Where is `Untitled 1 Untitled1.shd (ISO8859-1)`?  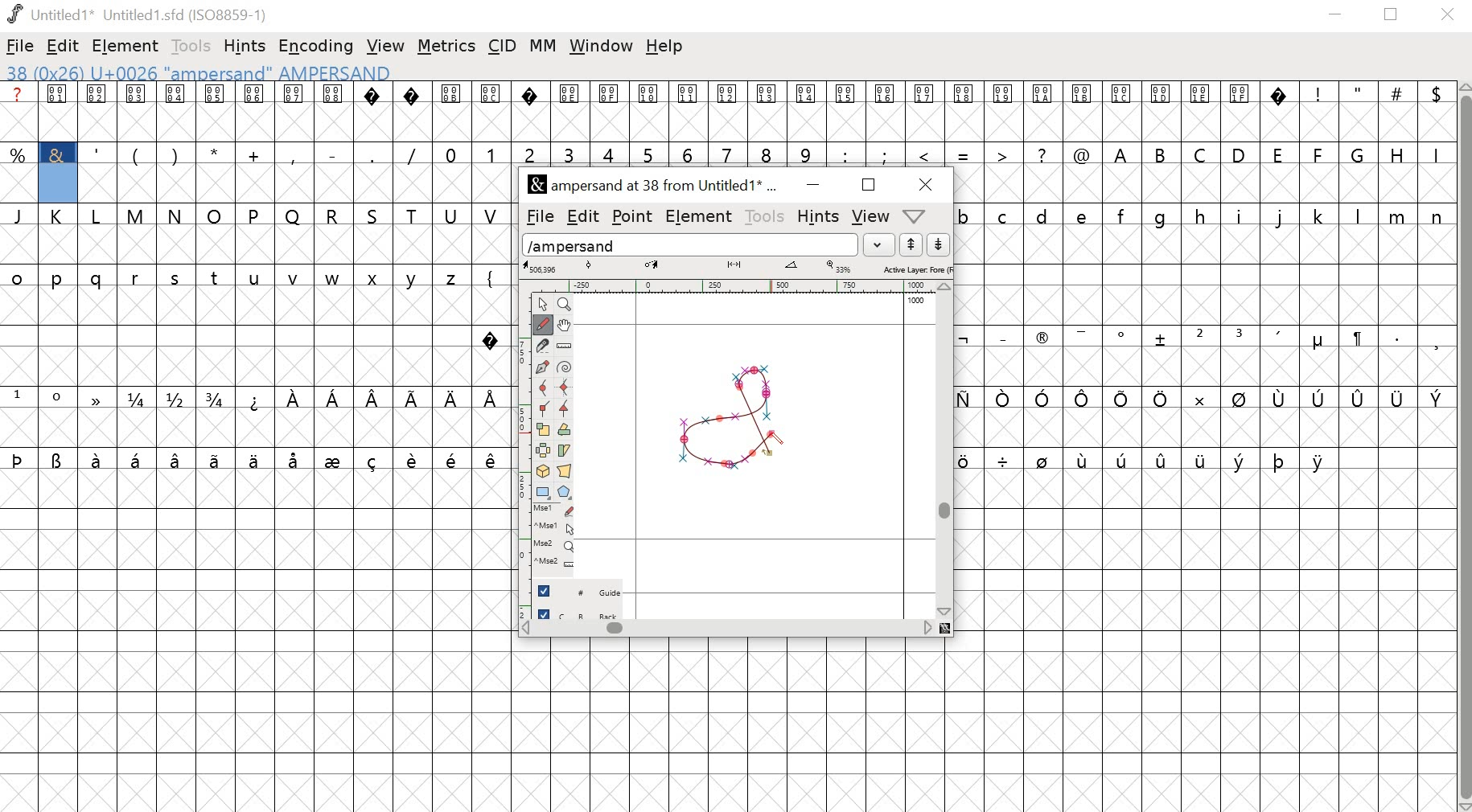
Untitled 1 Untitled1.shd (ISO8859-1) is located at coordinates (133, 13).